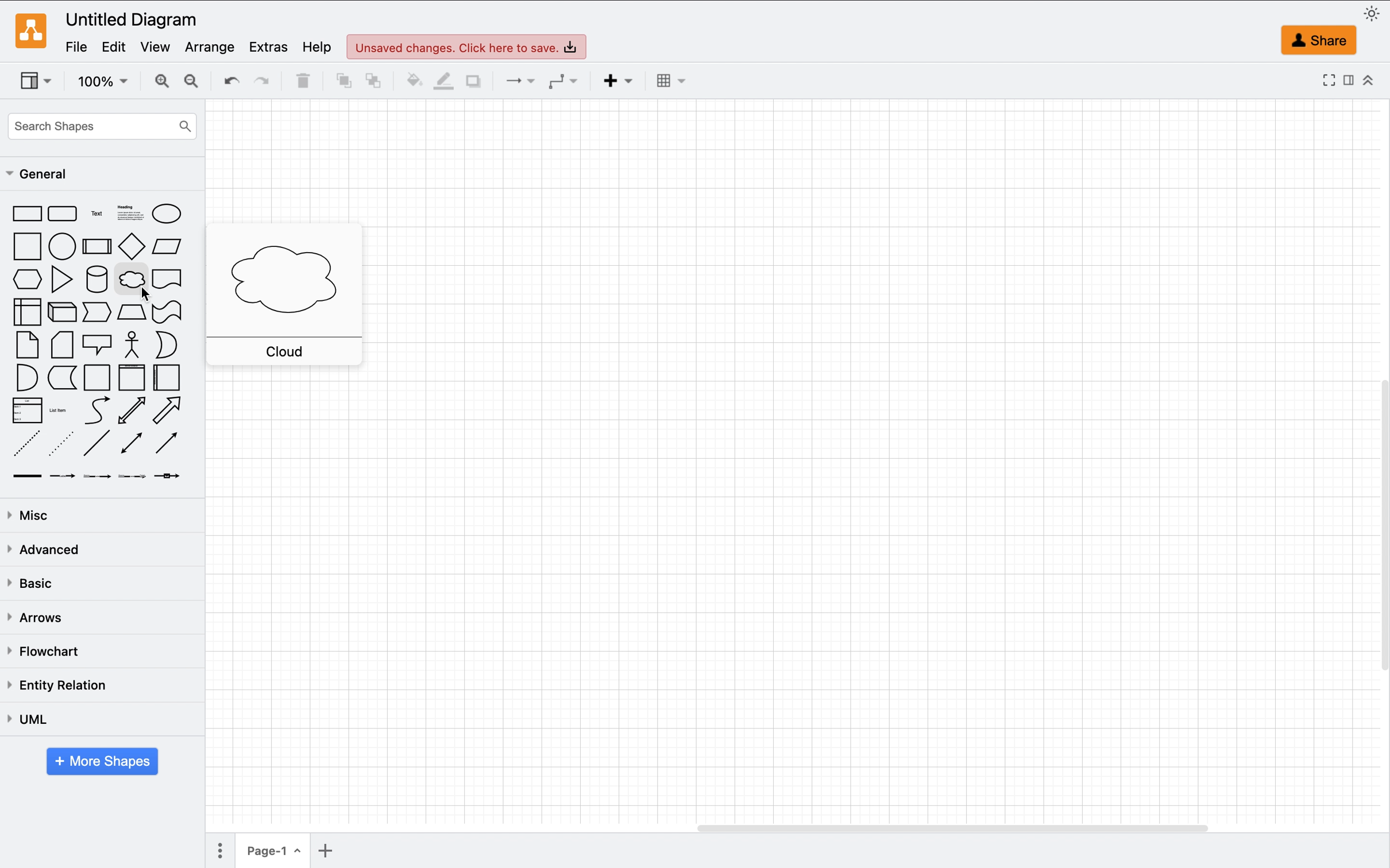 The width and height of the screenshot is (1390, 868). I want to click on diamond, so click(131, 247).